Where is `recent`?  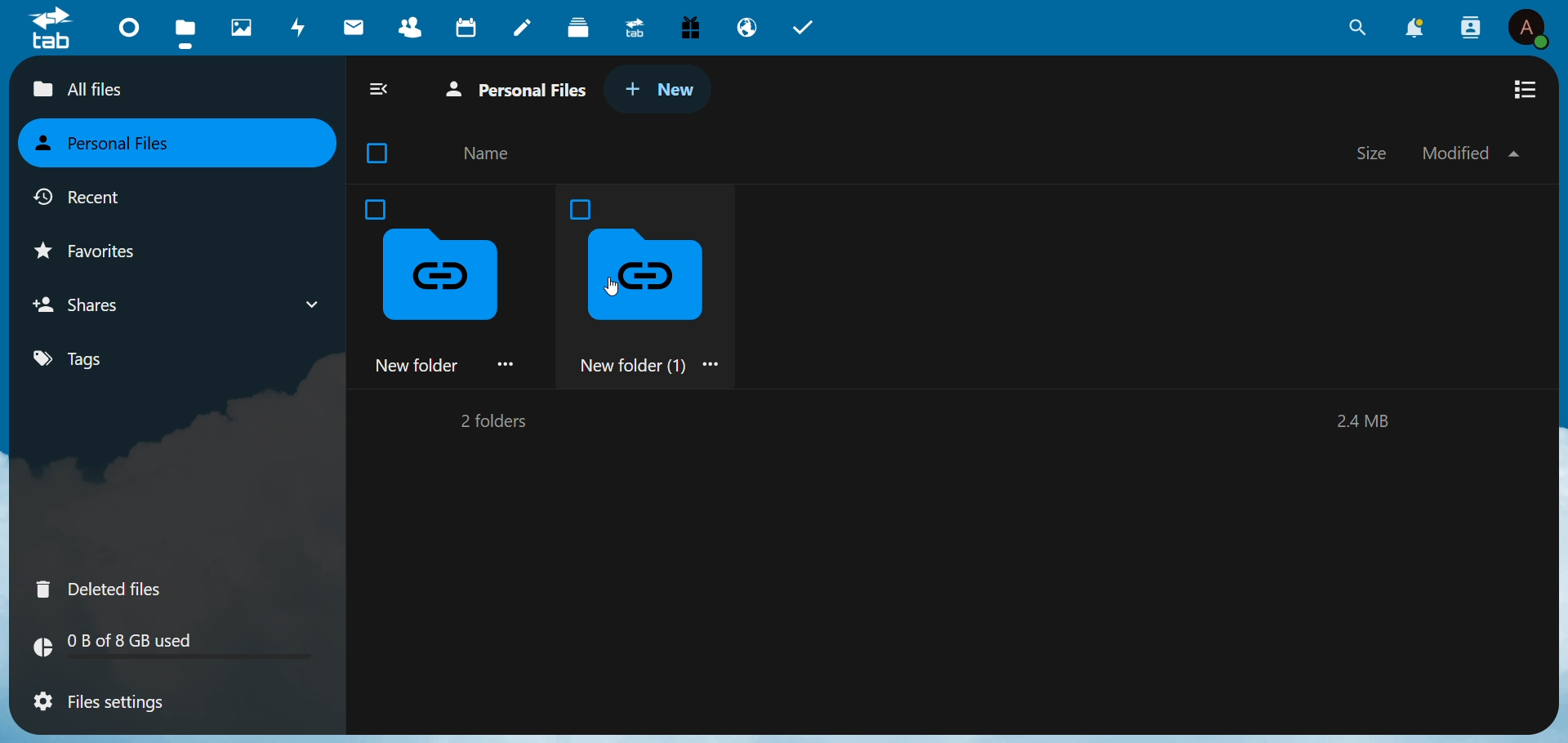
recent is located at coordinates (83, 201).